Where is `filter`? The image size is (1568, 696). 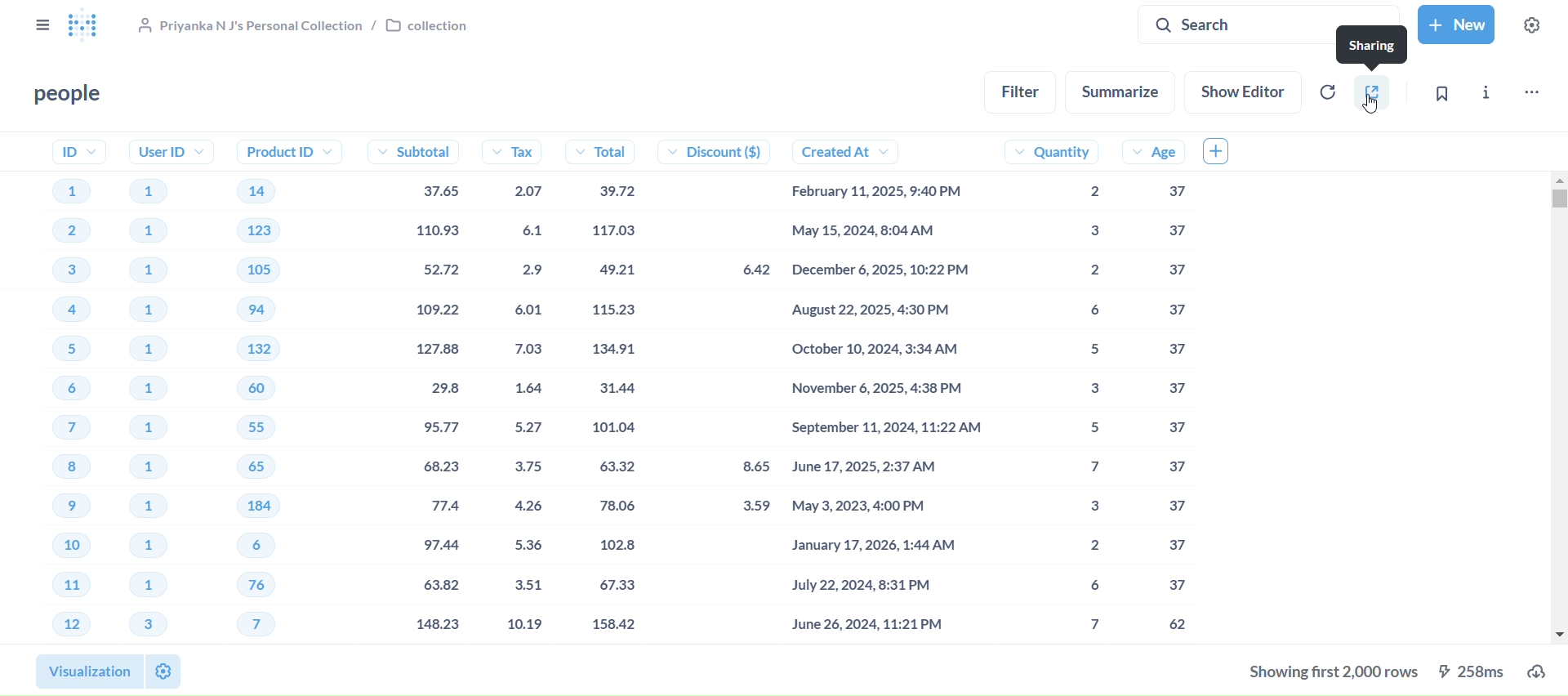 filter is located at coordinates (1022, 92).